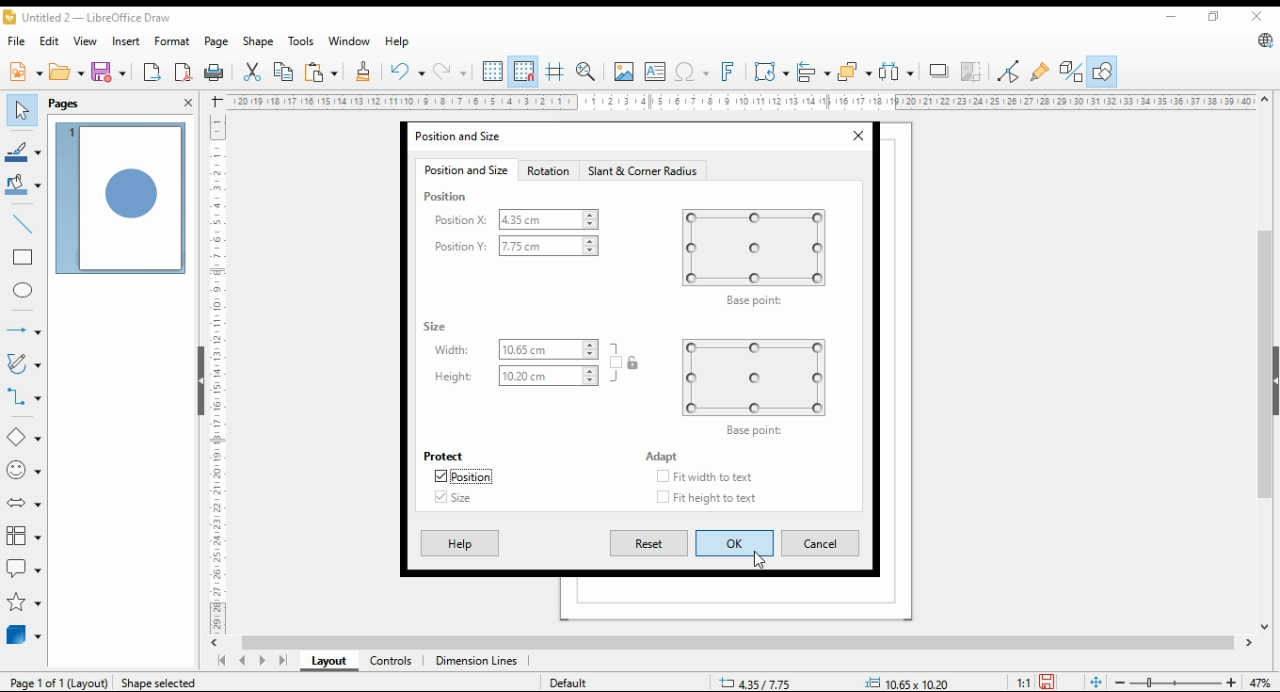 The image size is (1280, 692). I want to click on Shape selected, so click(160, 682).